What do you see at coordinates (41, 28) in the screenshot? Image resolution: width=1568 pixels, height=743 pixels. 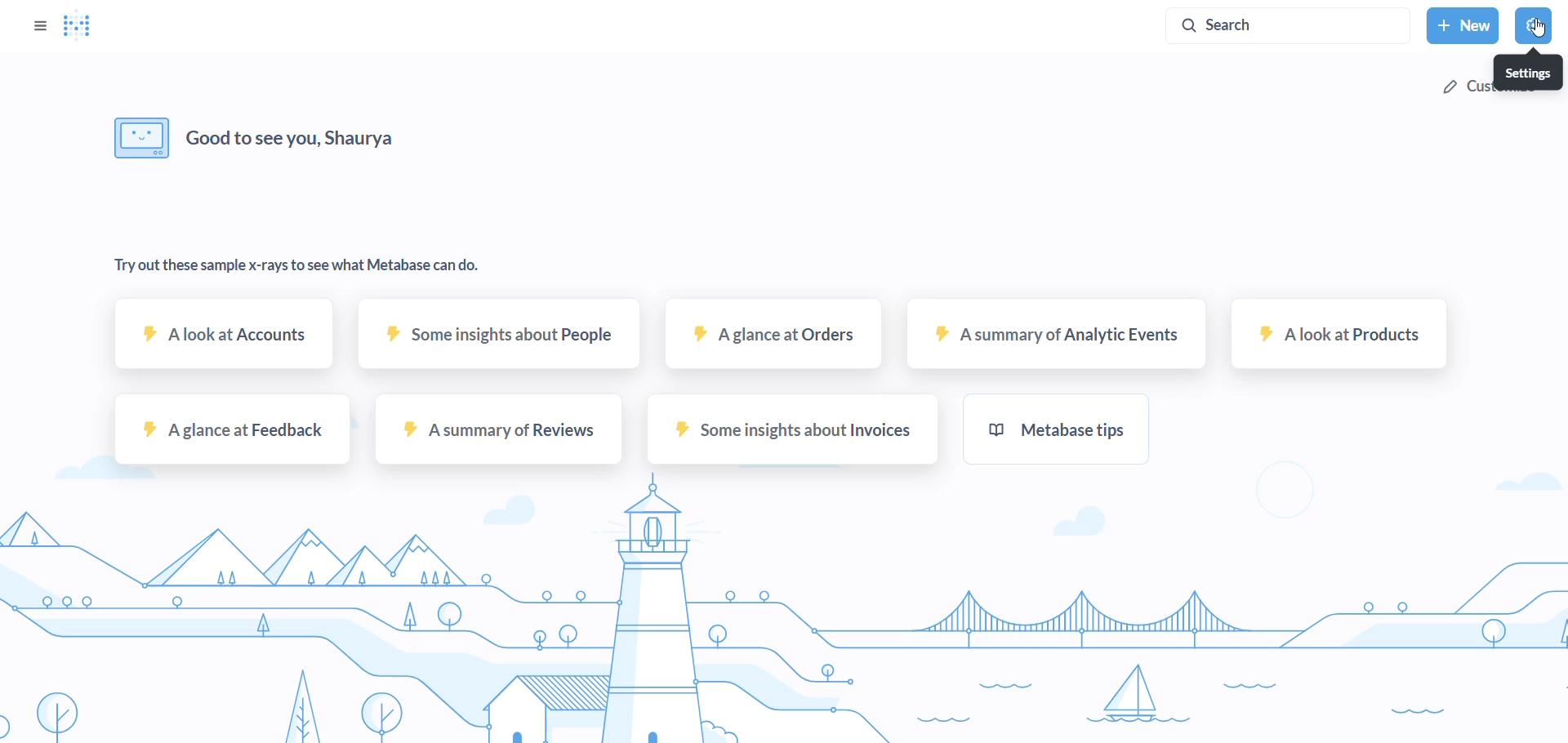 I see `option` at bounding box center [41, 28].